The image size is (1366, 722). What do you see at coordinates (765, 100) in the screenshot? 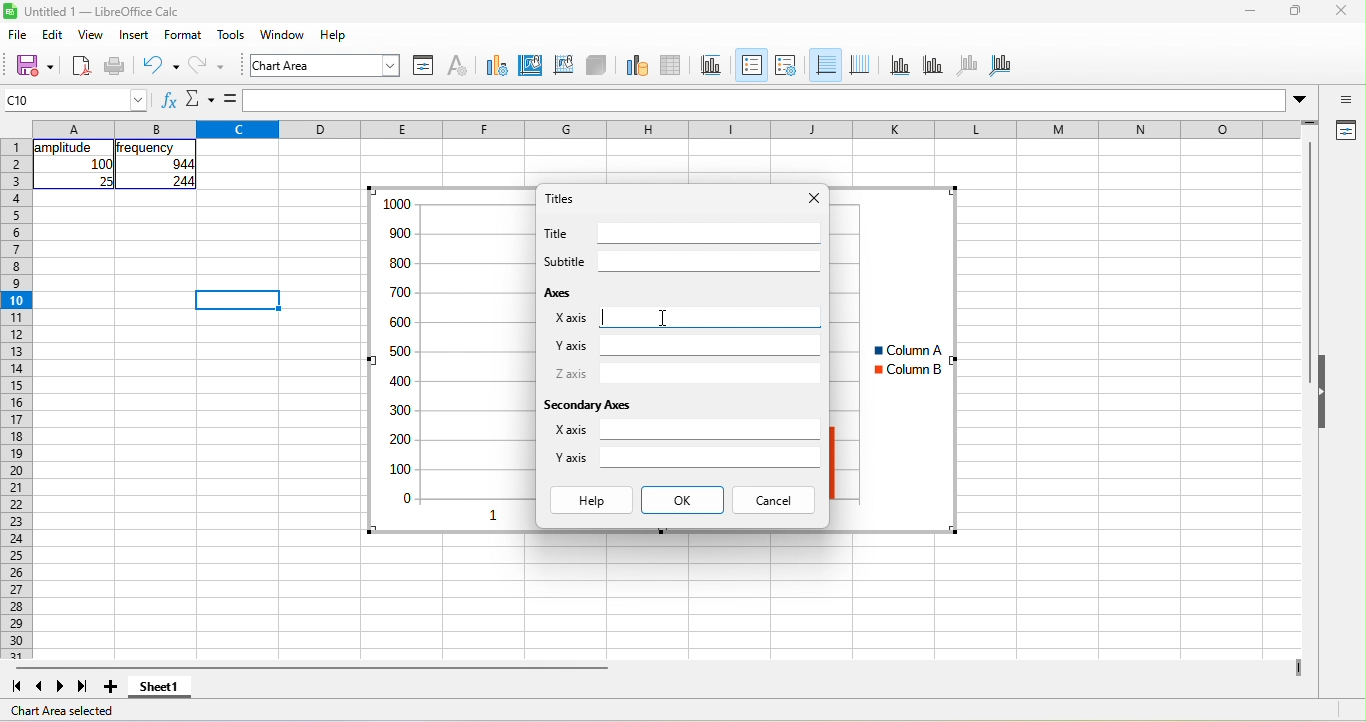
I see `formula bar` at bounding box center [765, 100].